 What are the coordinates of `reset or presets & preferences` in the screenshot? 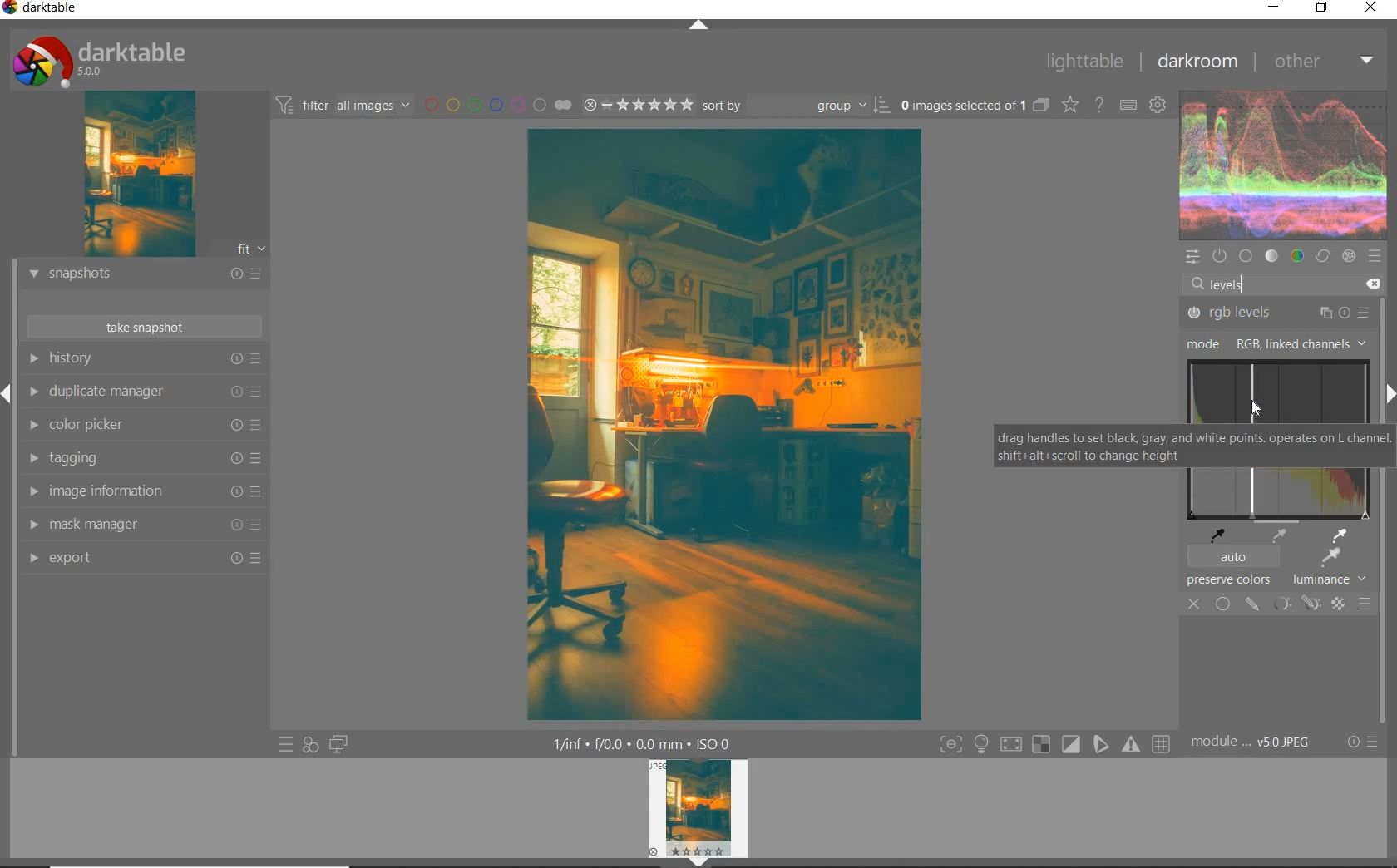 It's located at (1362, 742).